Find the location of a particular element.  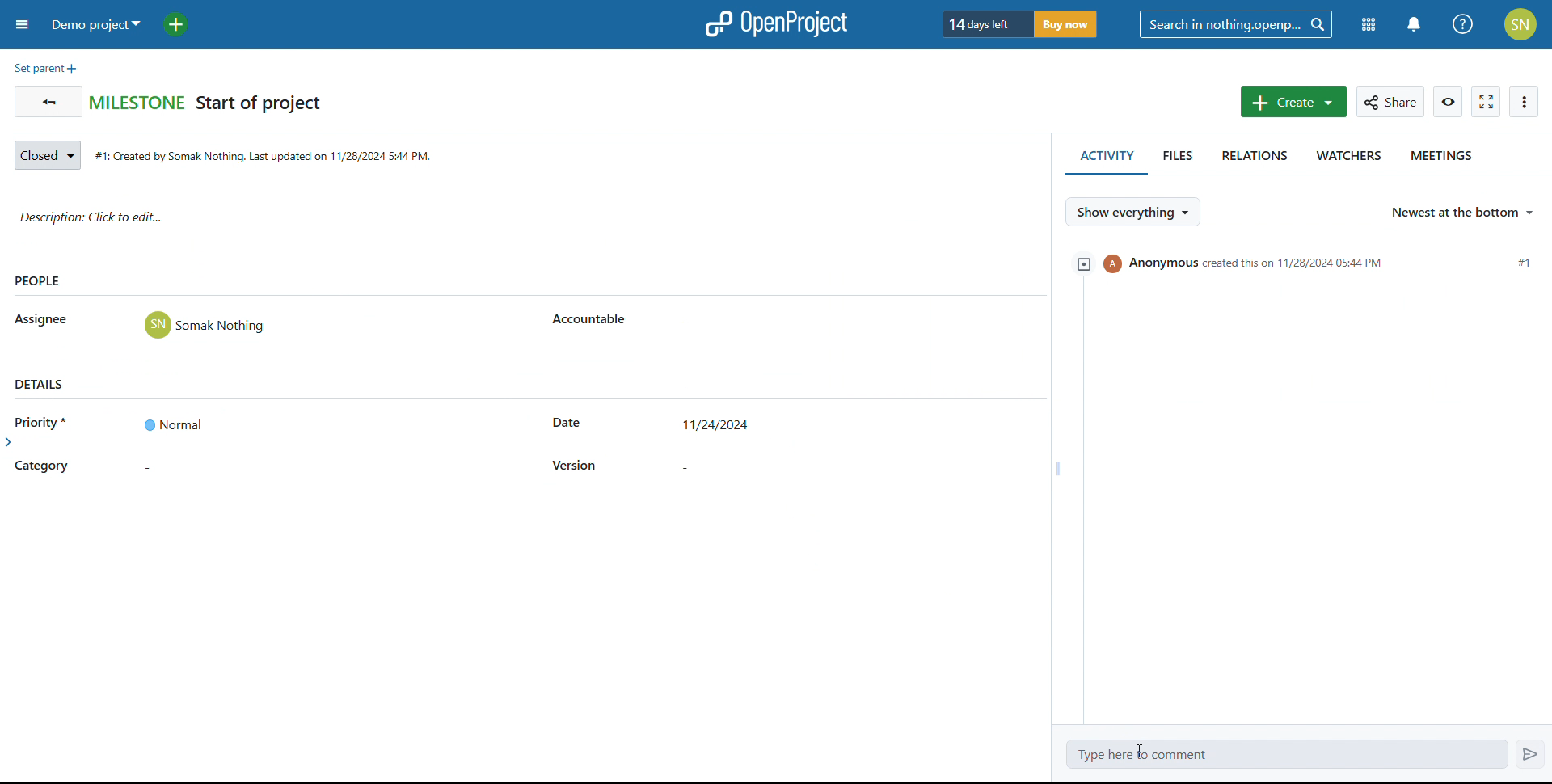

send is located at coordinates (1530, 752).